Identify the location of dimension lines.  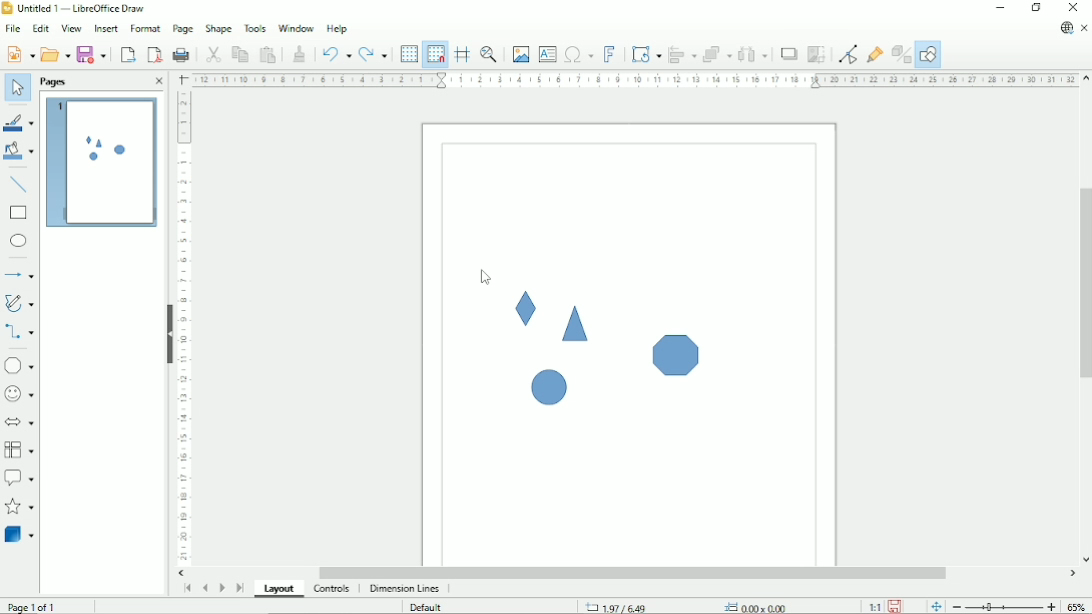
(404, 589).